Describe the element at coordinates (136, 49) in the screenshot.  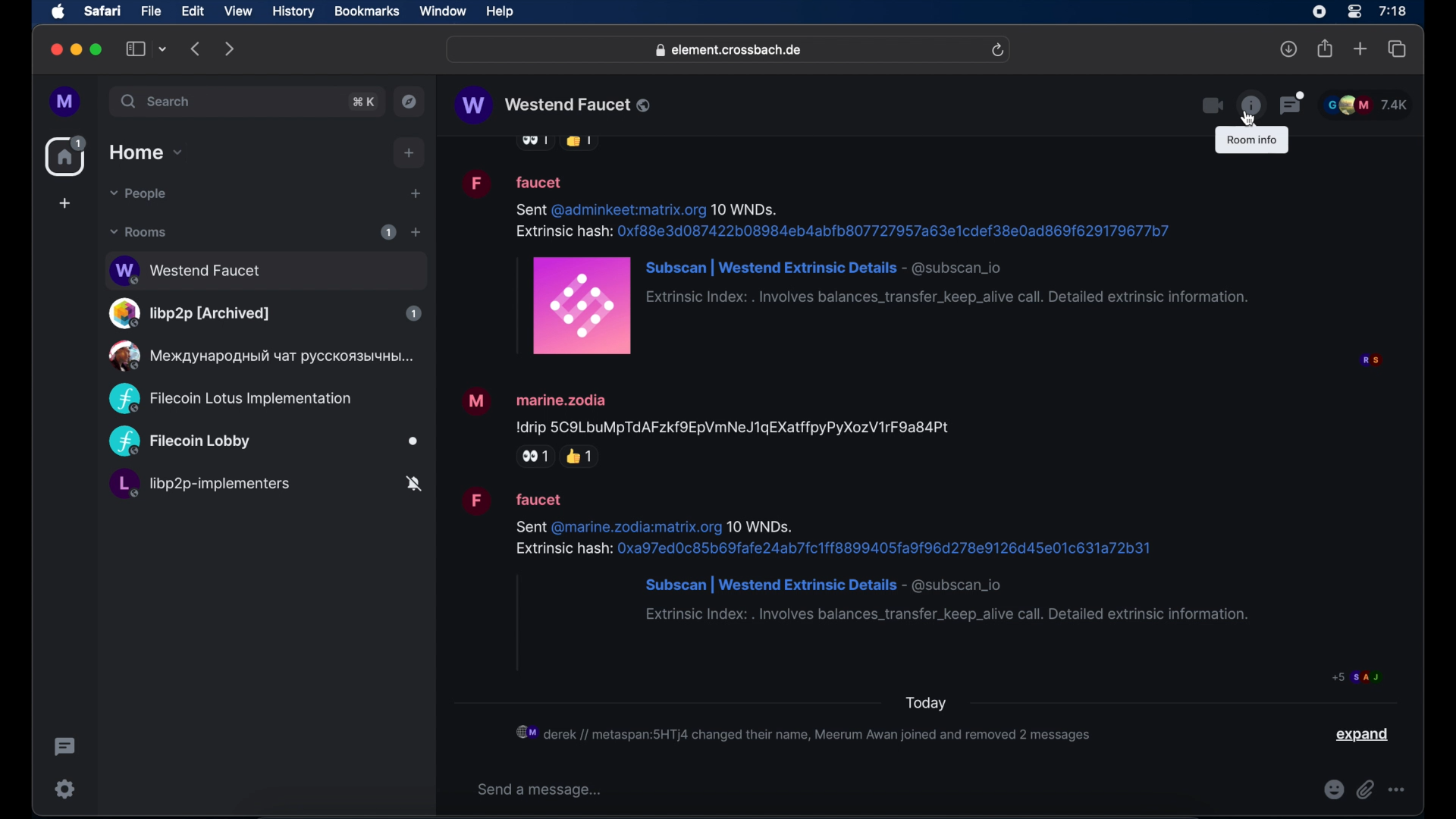
I see `show sidebar` at that location.